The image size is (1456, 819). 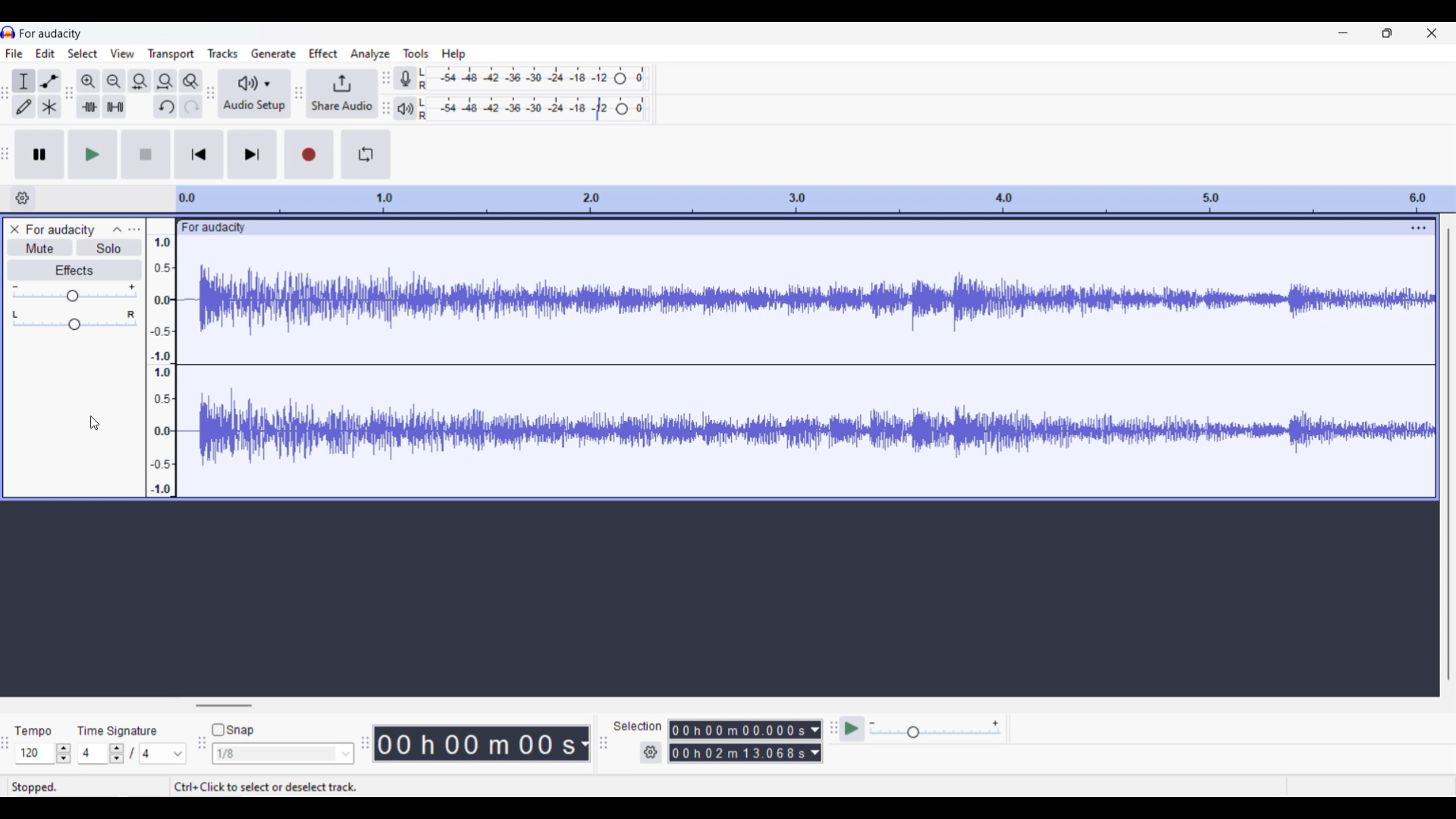 I want to click on Selection tool, so click(x=24, y=81).